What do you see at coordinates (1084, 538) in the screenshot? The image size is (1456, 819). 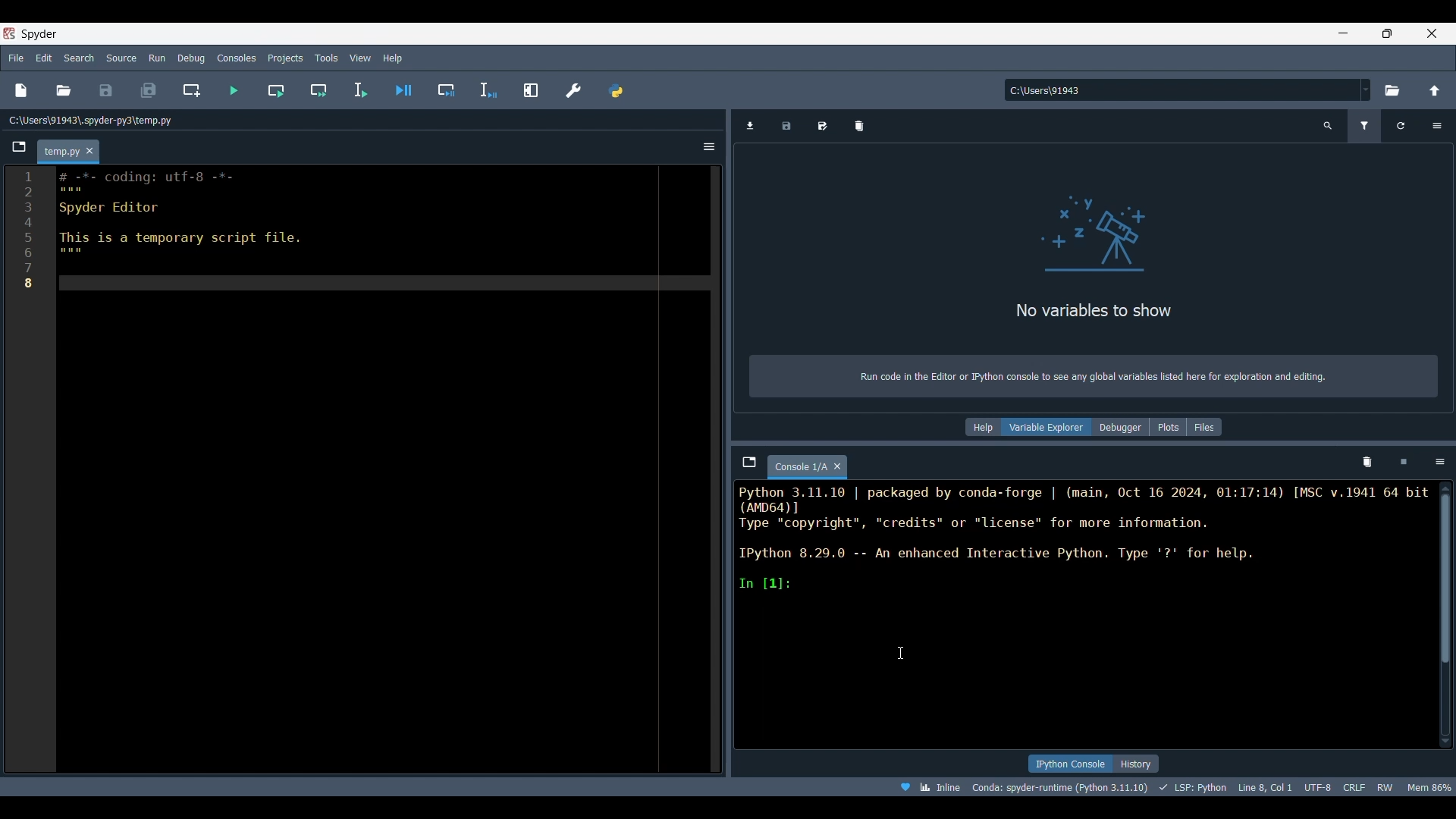 I see `ipython console pane` at bounding box center [1084, 538].